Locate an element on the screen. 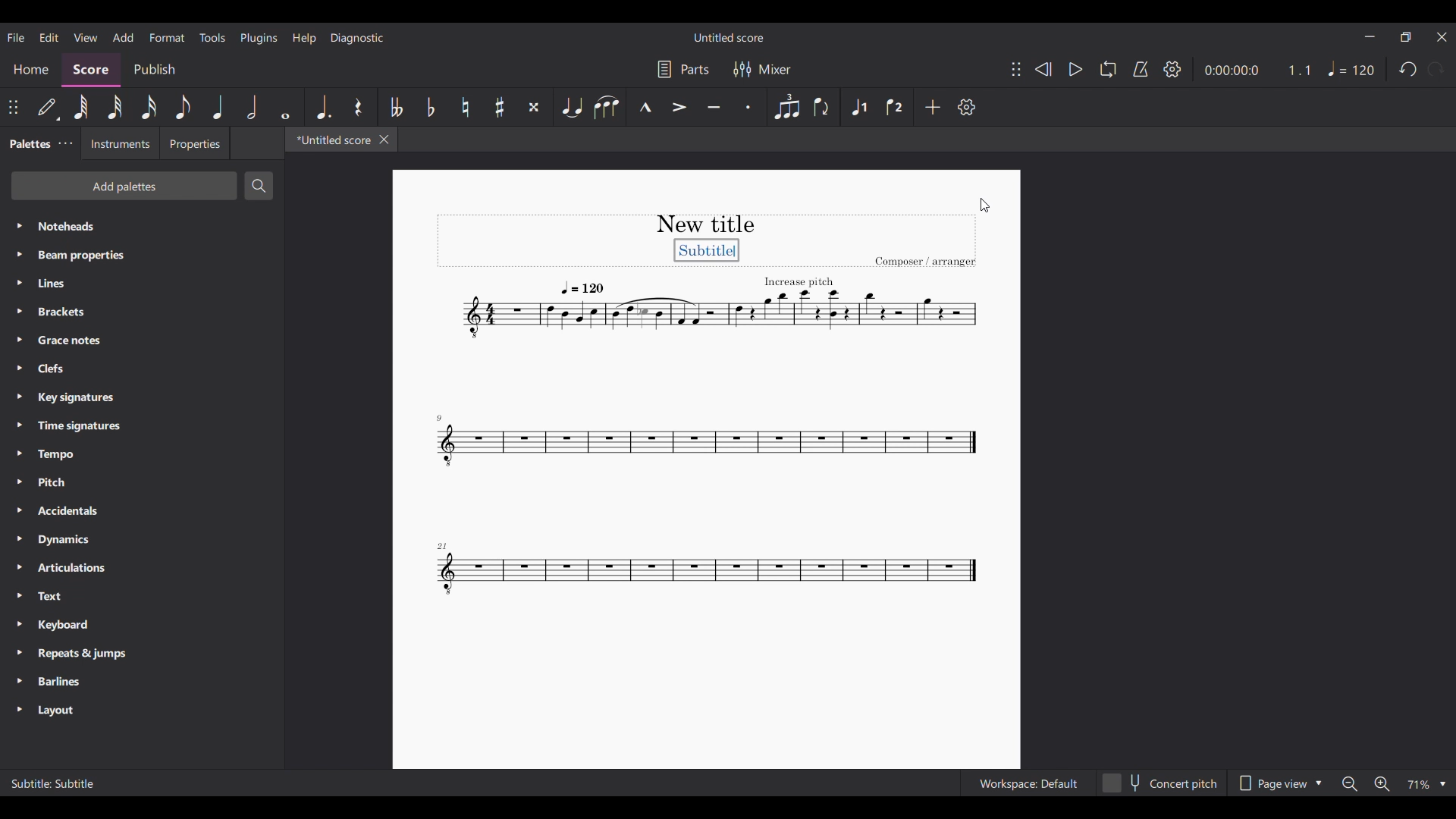  Publish section is located at coordinates (155, 70).